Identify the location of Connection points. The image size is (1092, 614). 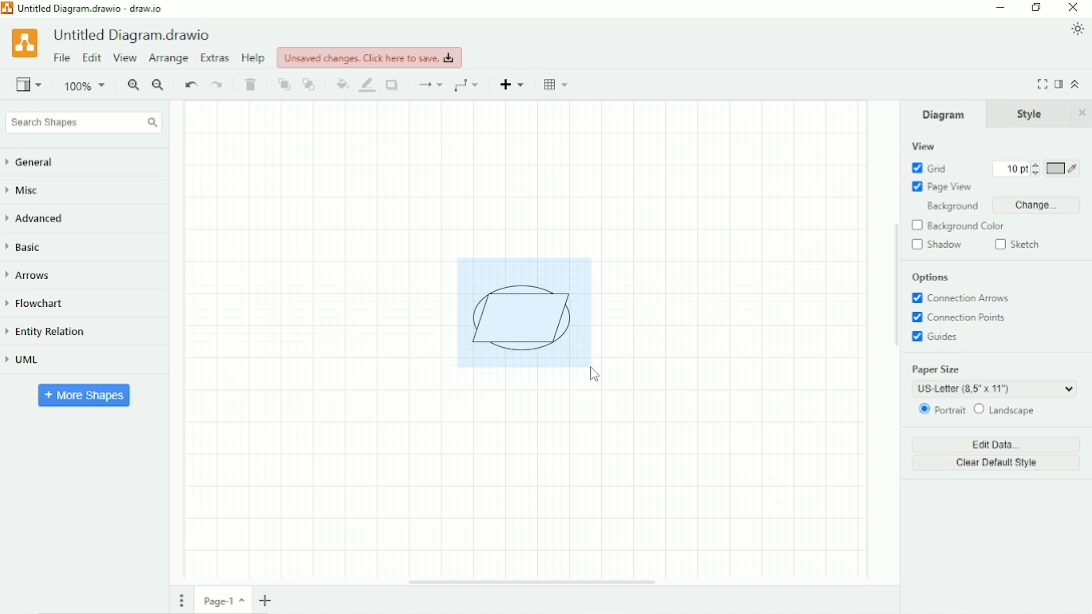
(963, 318).